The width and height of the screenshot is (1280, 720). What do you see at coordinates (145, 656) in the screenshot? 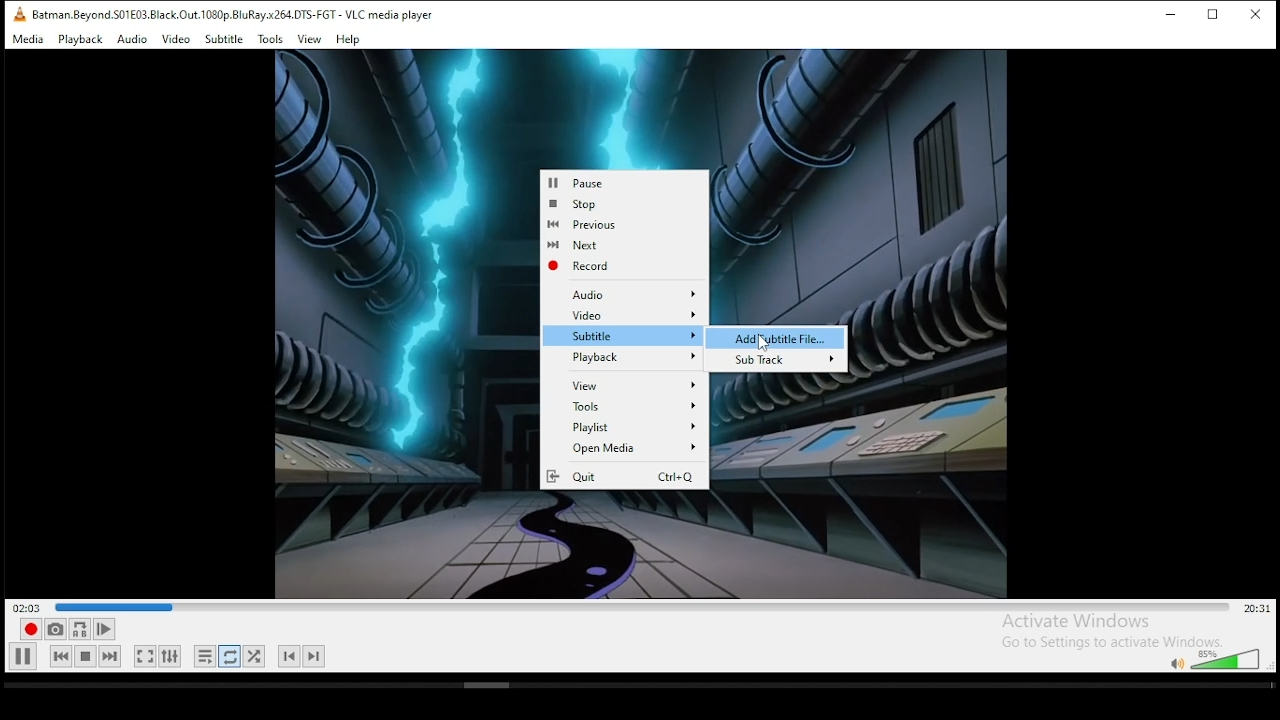
I see `toggle video in fullscreen` at bounding box center [145, 656].